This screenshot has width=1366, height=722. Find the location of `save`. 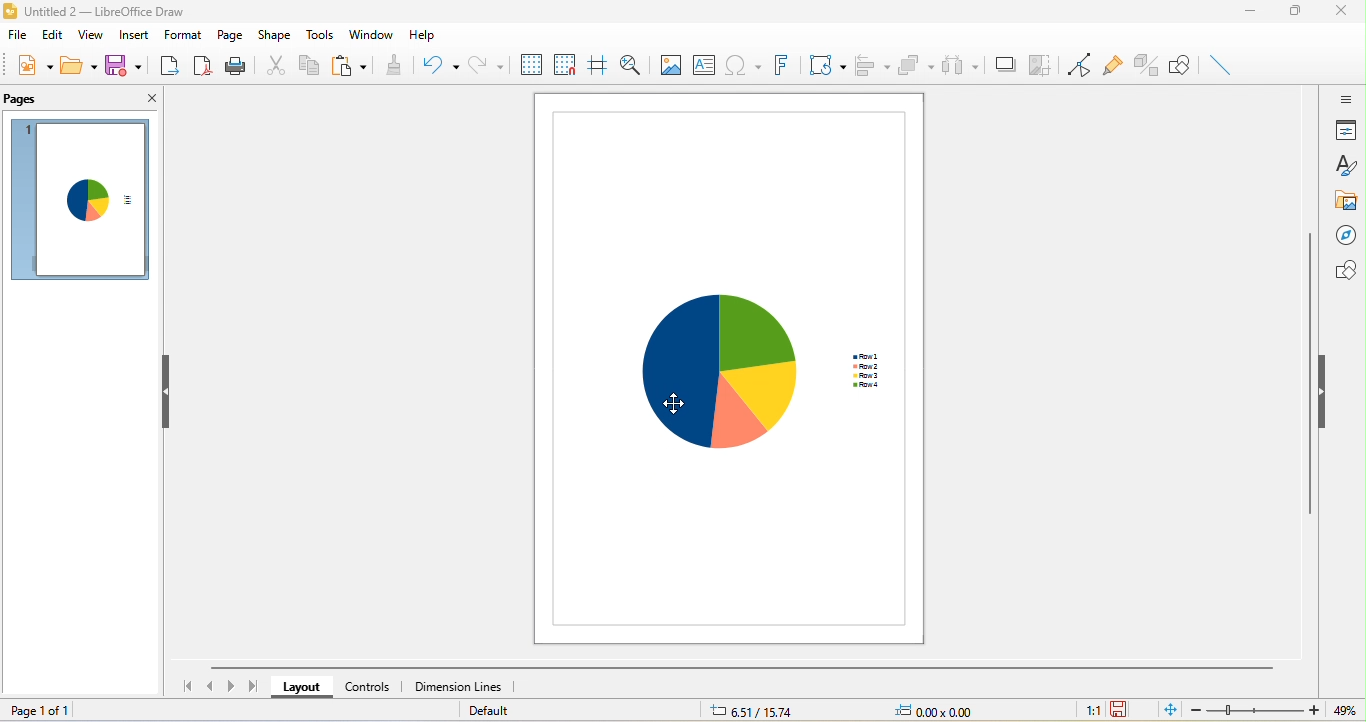

save is located at coordinates (1123, 710).